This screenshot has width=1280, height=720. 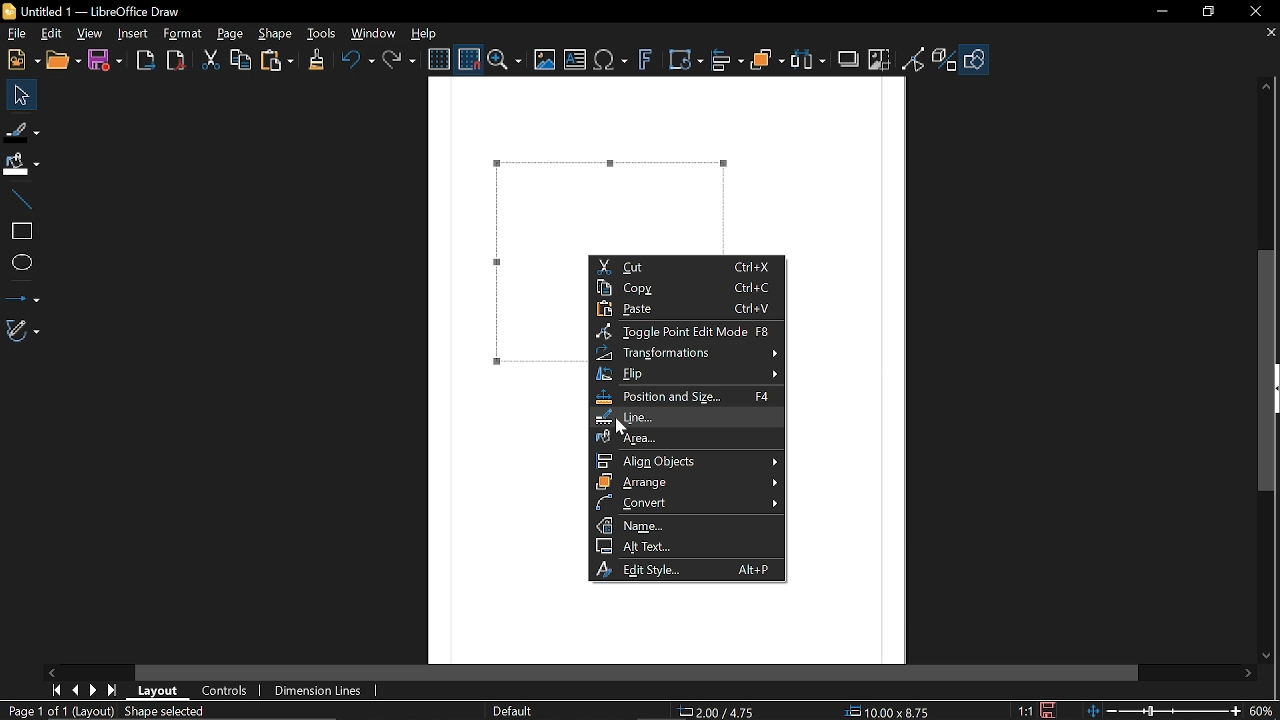 What do you see at coordinates (879, 59) in the screenshot?
I see `Crop` at bounding box center [879, 59].